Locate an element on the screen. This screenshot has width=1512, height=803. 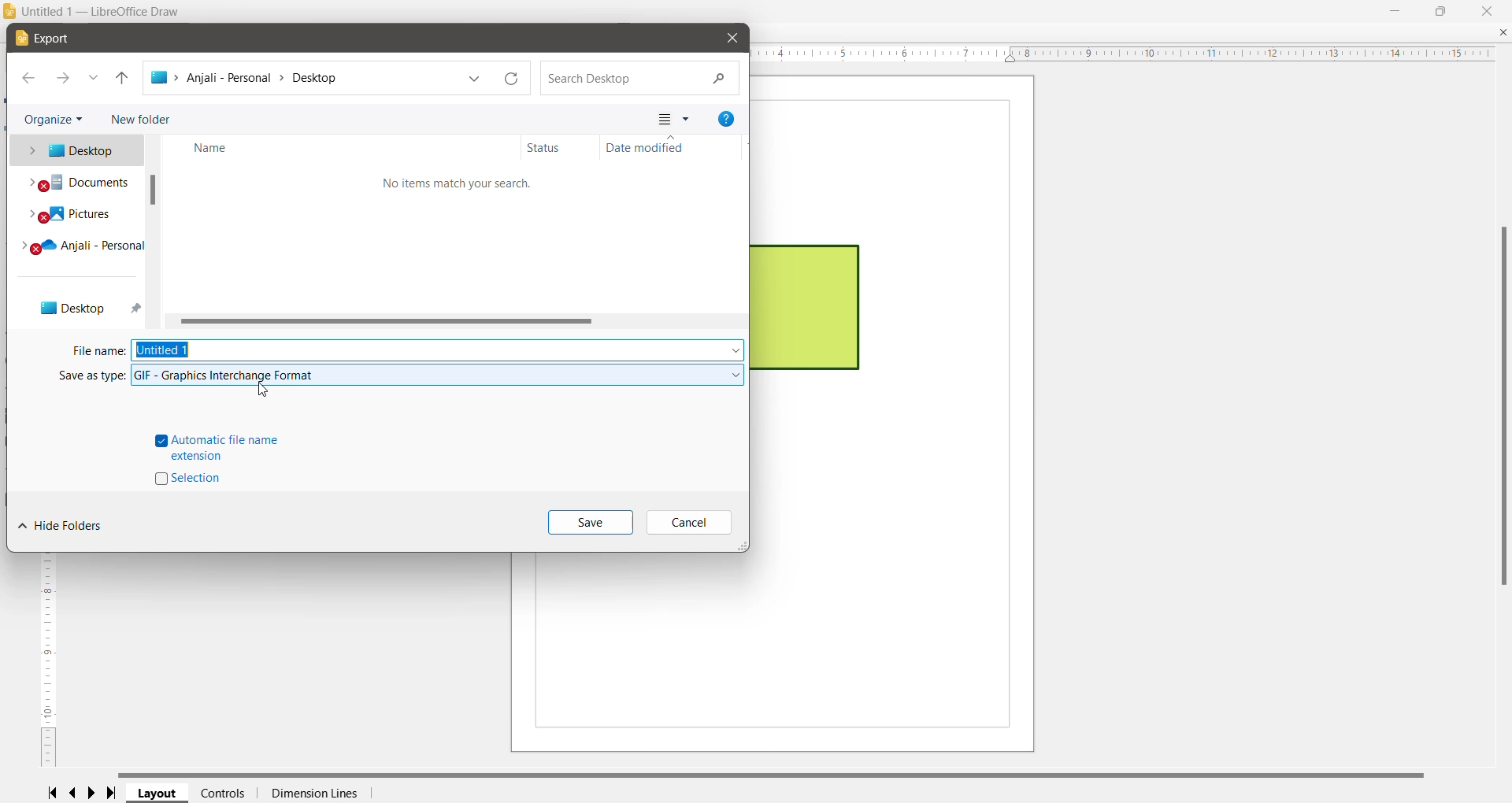
Previous locations is located at coordinates (475, 80).